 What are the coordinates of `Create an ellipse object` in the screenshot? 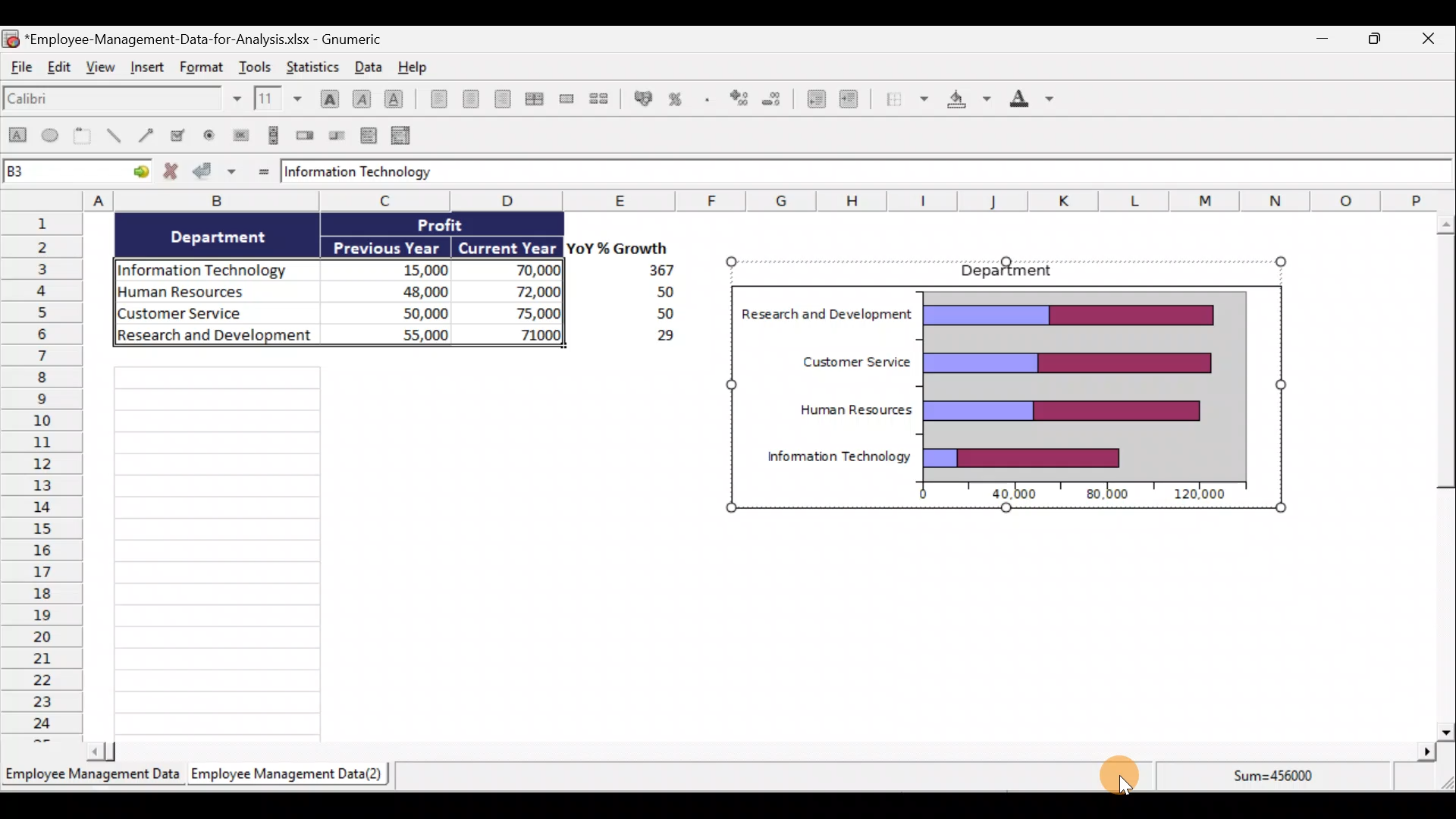 It's located at (52, 137).